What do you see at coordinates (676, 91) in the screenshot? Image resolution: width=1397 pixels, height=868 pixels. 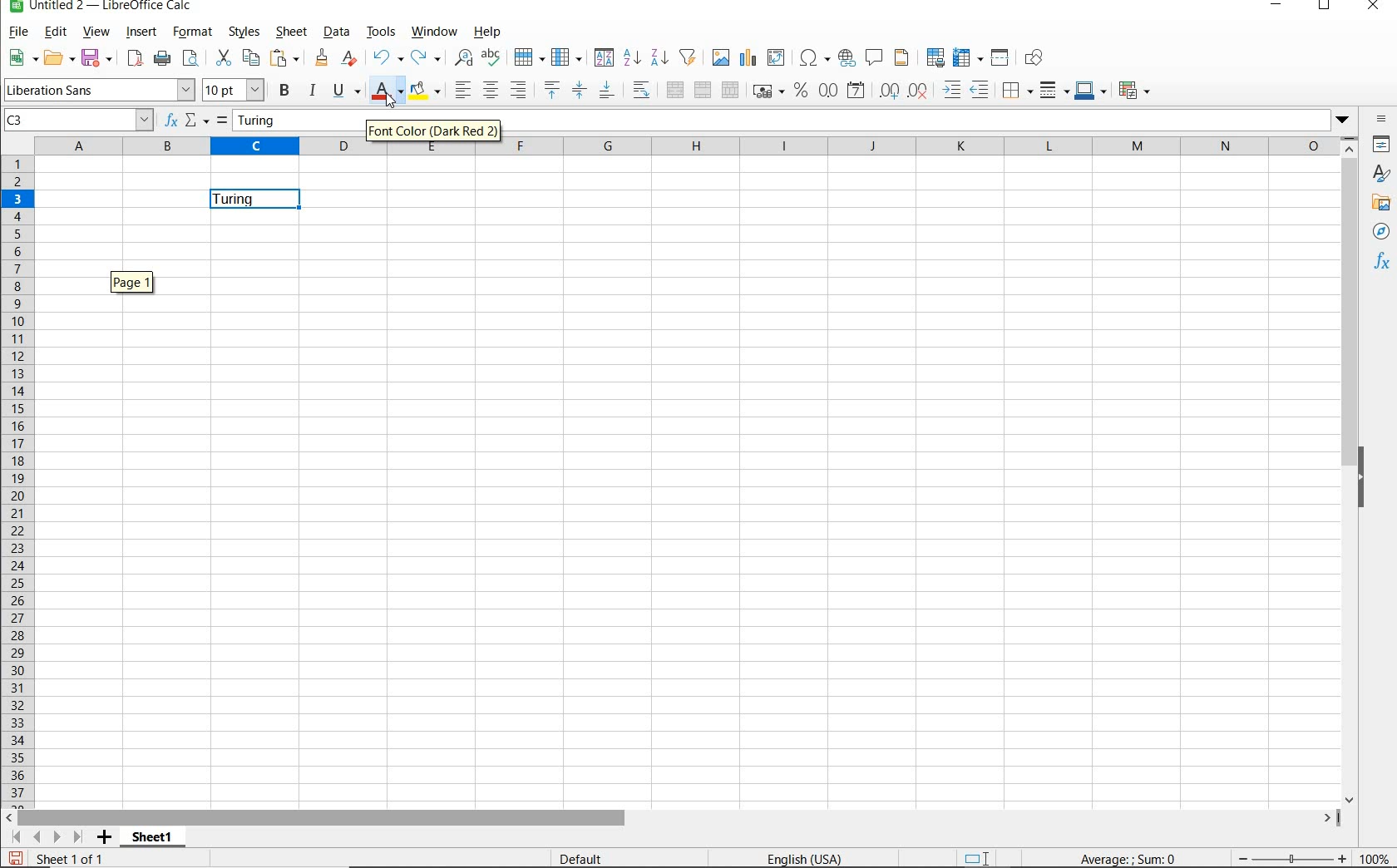 I see `MERGE AND CENTER OR UNMERGE CELLS` at bounding box center [676, 91].